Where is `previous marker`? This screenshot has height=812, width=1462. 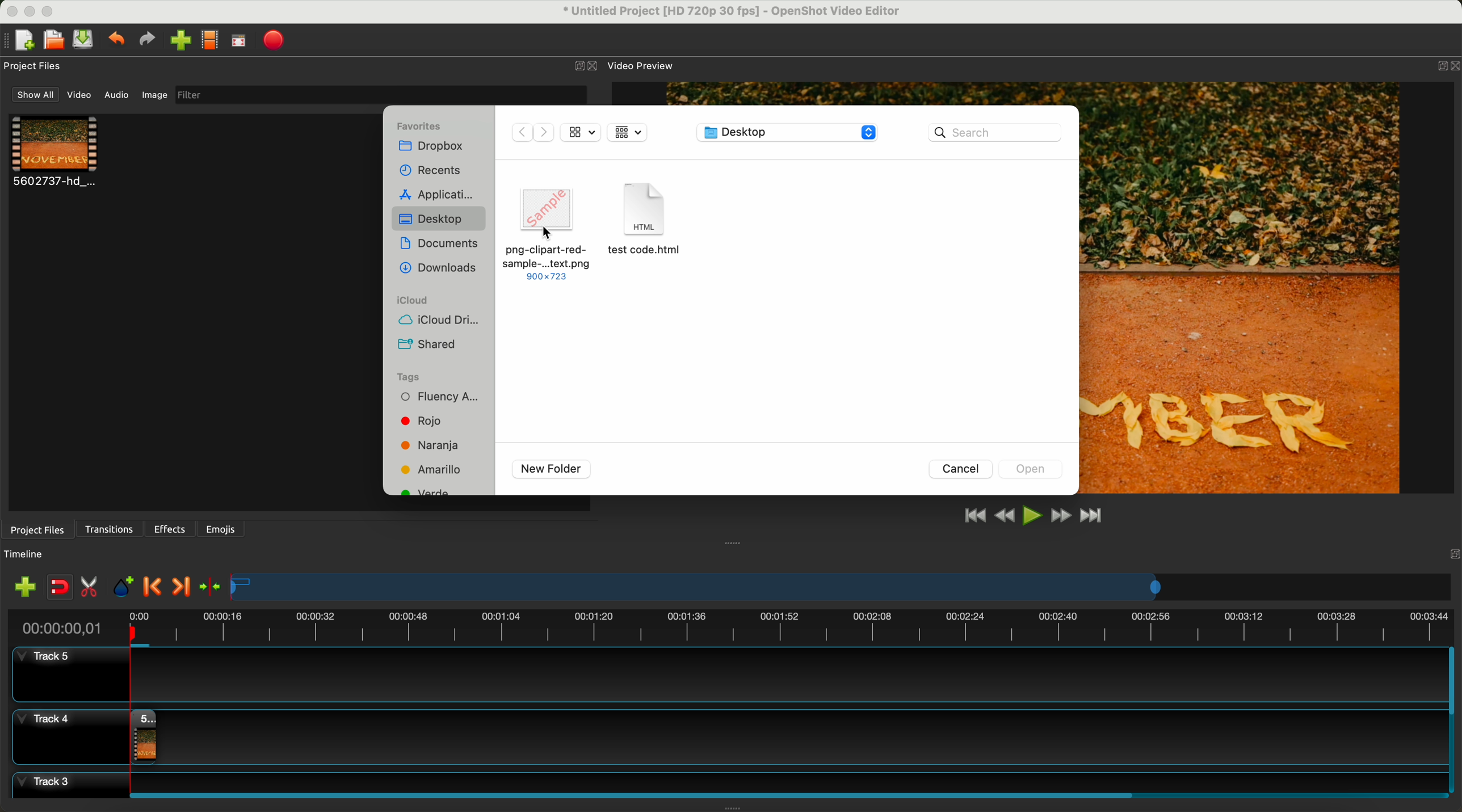
previous marker is located at coordinates (156, 587).